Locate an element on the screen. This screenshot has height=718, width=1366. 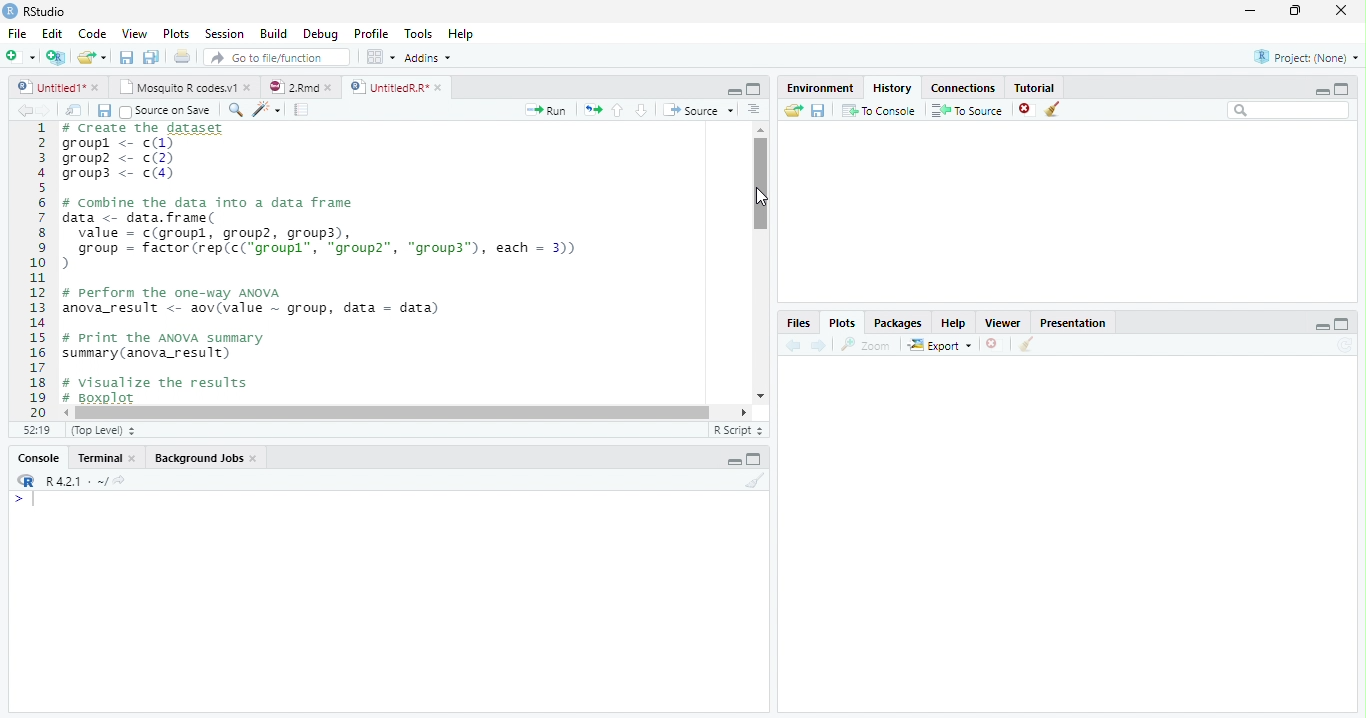
Connections is located at coordinates (965, 86).